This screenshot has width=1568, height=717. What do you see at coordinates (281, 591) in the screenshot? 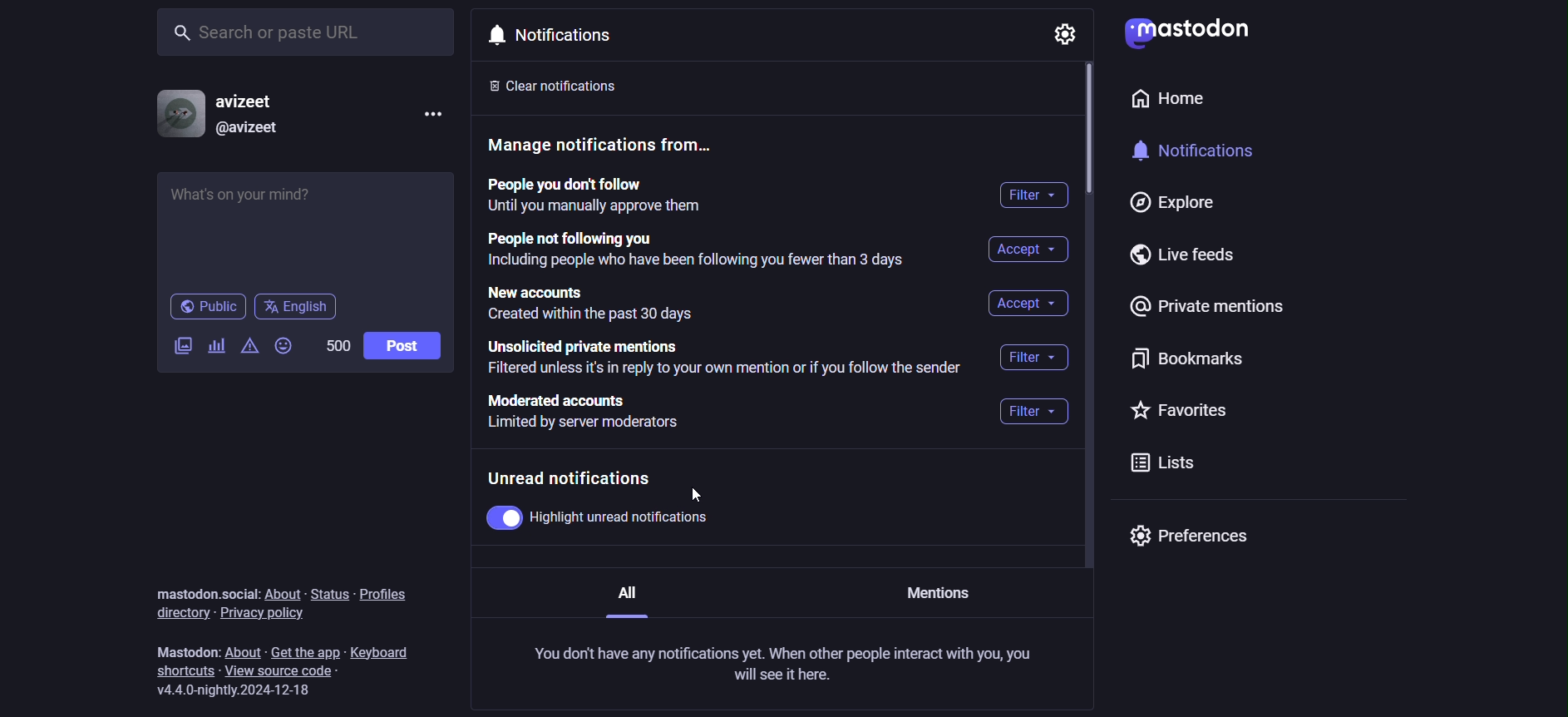
I see `about` at bounding box center [281, 591].